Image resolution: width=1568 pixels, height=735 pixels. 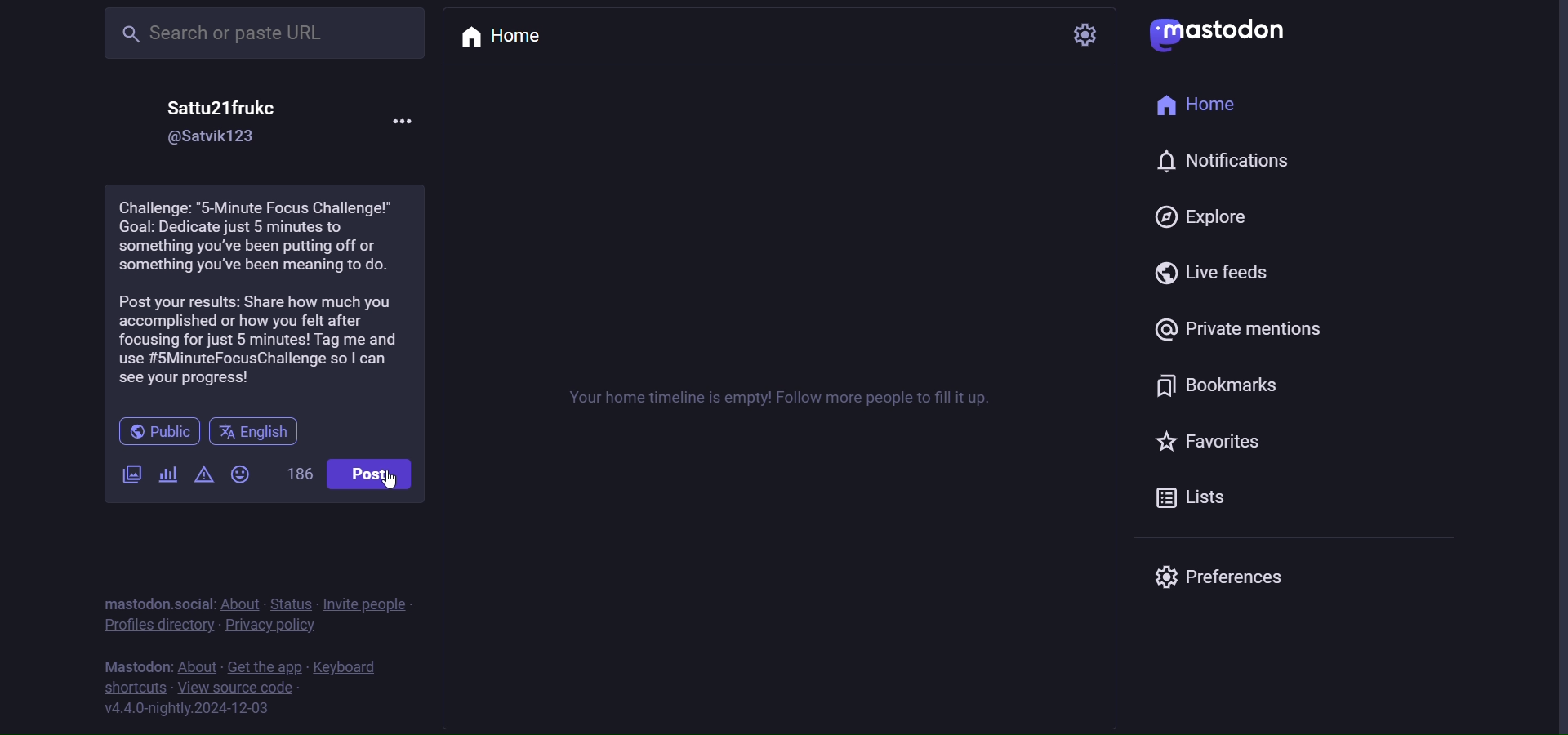 I want to click on home, so click(x=508, y=40).